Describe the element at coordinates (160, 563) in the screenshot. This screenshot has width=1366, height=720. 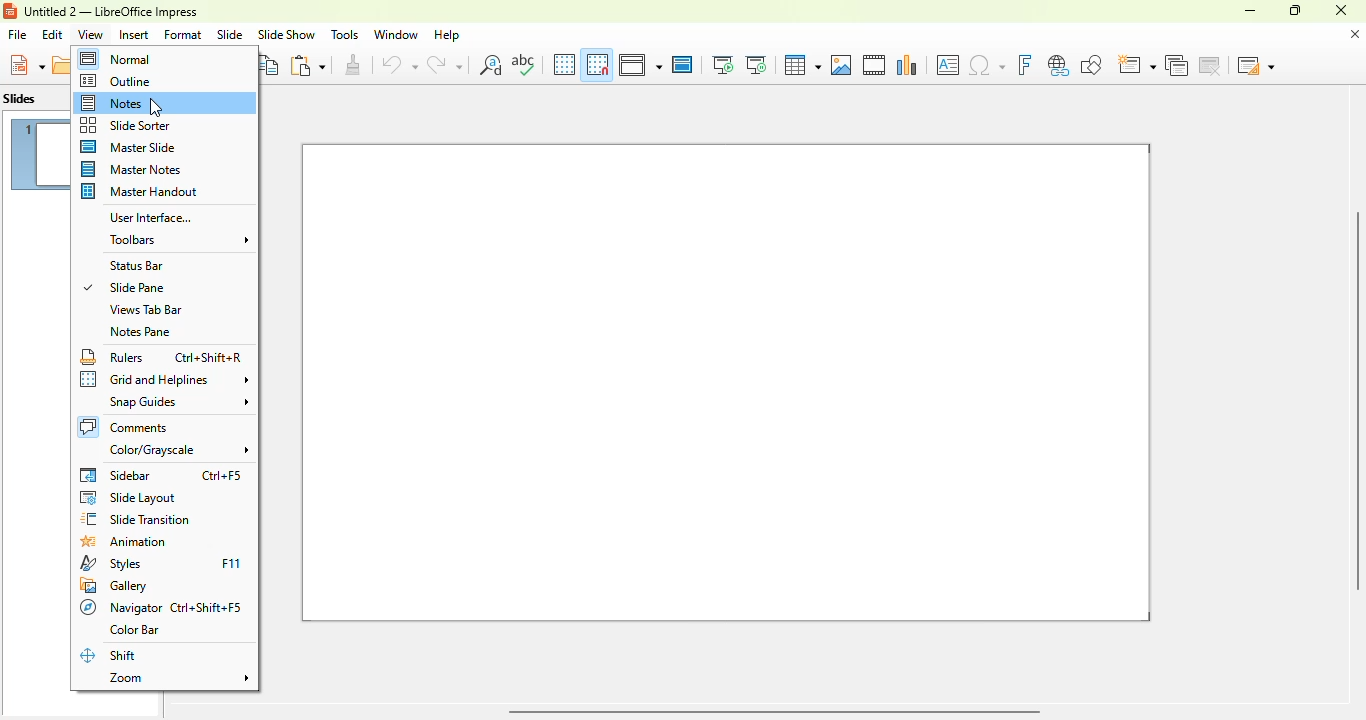
I see `styles` at that location.